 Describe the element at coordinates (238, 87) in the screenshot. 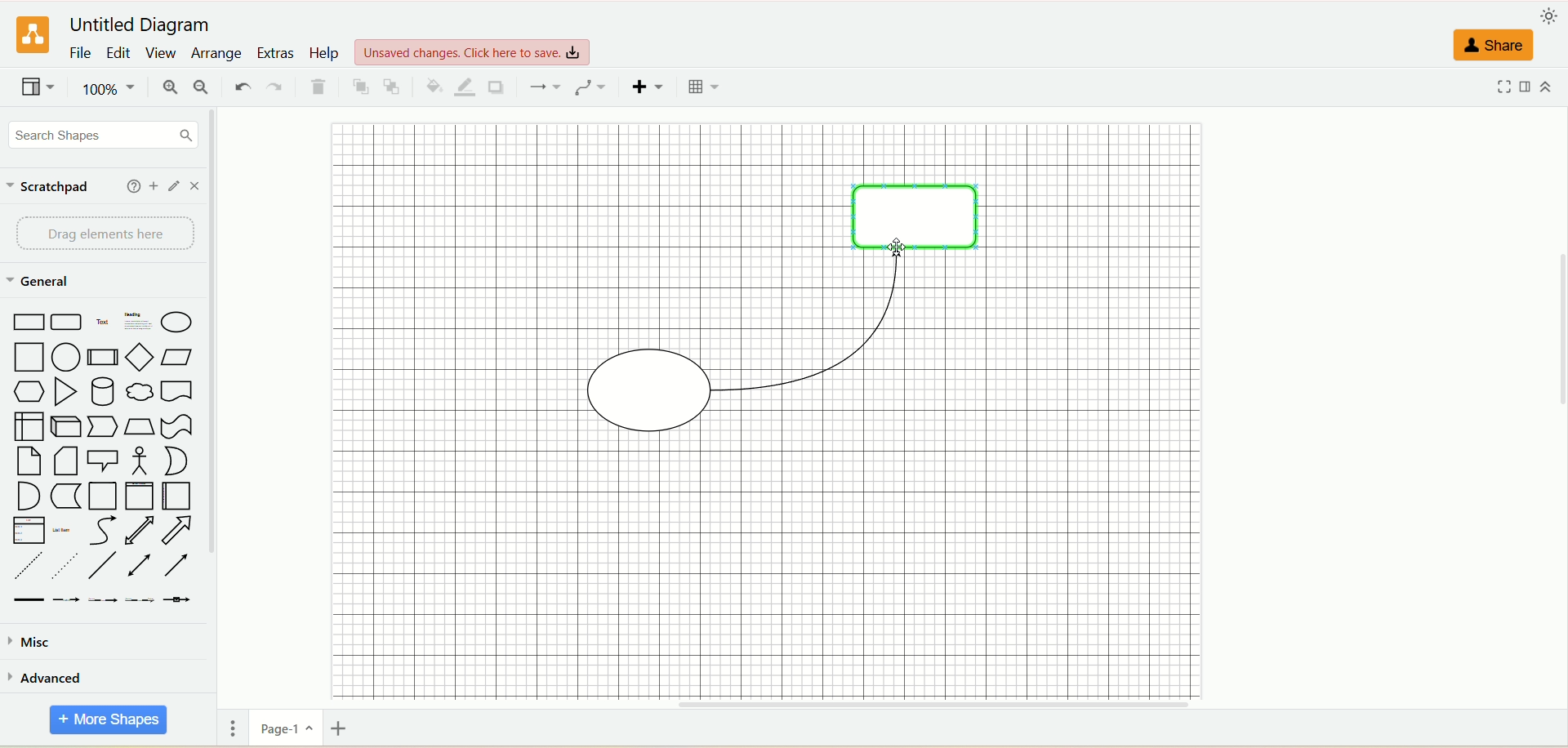

I see `undo` at that location.